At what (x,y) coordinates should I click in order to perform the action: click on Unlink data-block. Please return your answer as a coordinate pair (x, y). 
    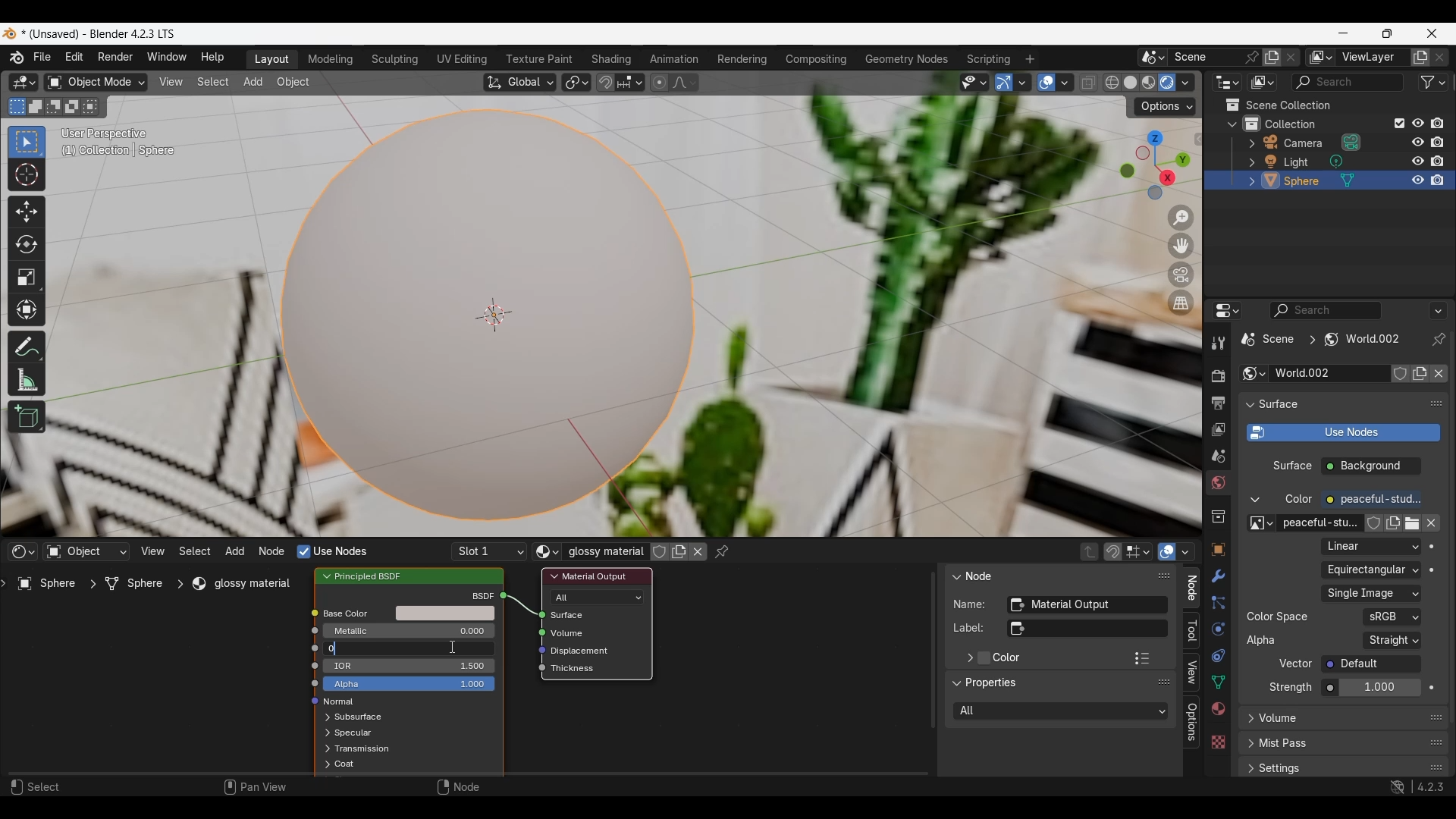
    Looking at the image, I should click on (1439, 374).